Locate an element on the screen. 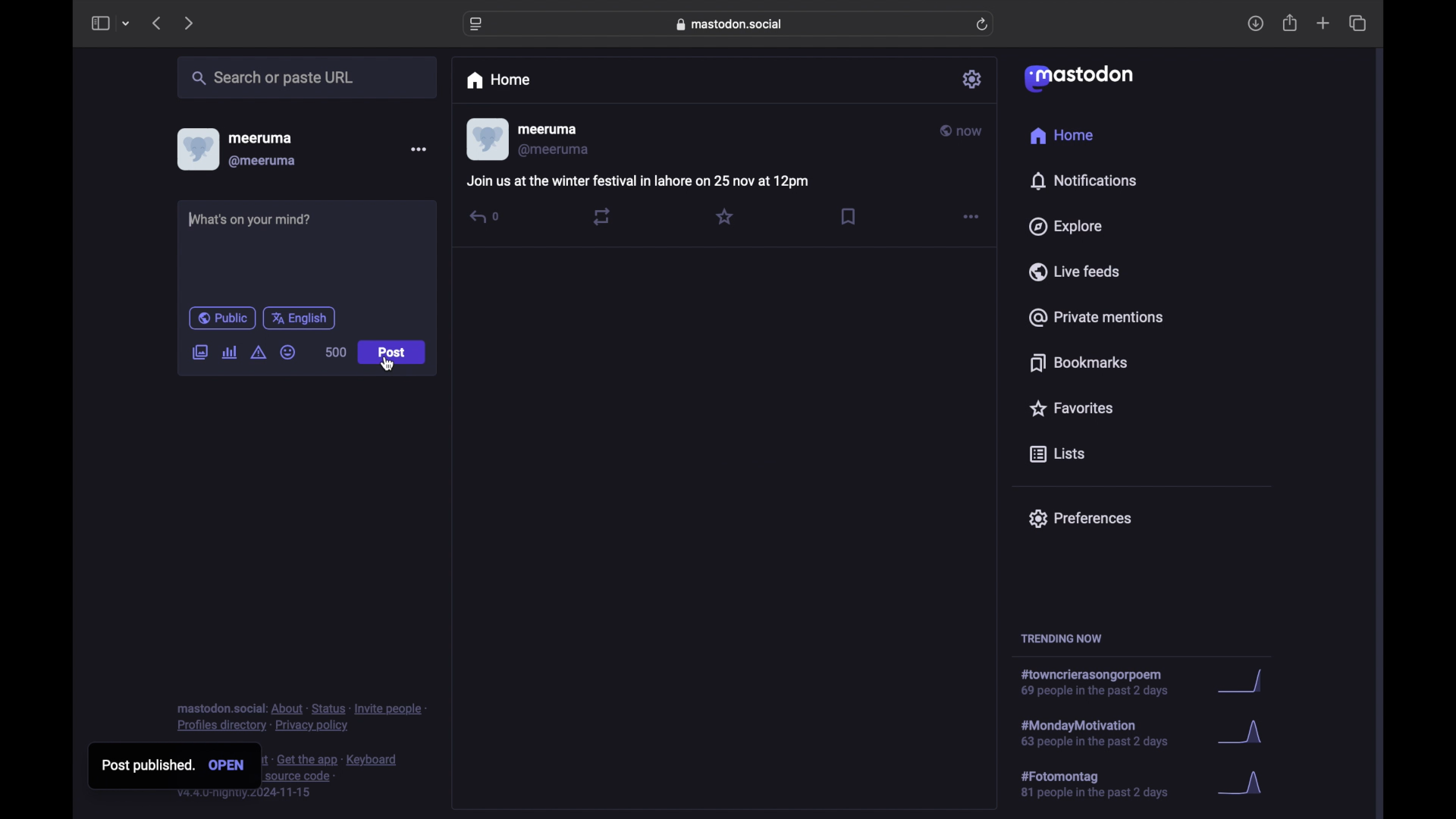 The width and height of the screenshot is (1456, 819). hashtag trend is located at coordinates (1105, 732).